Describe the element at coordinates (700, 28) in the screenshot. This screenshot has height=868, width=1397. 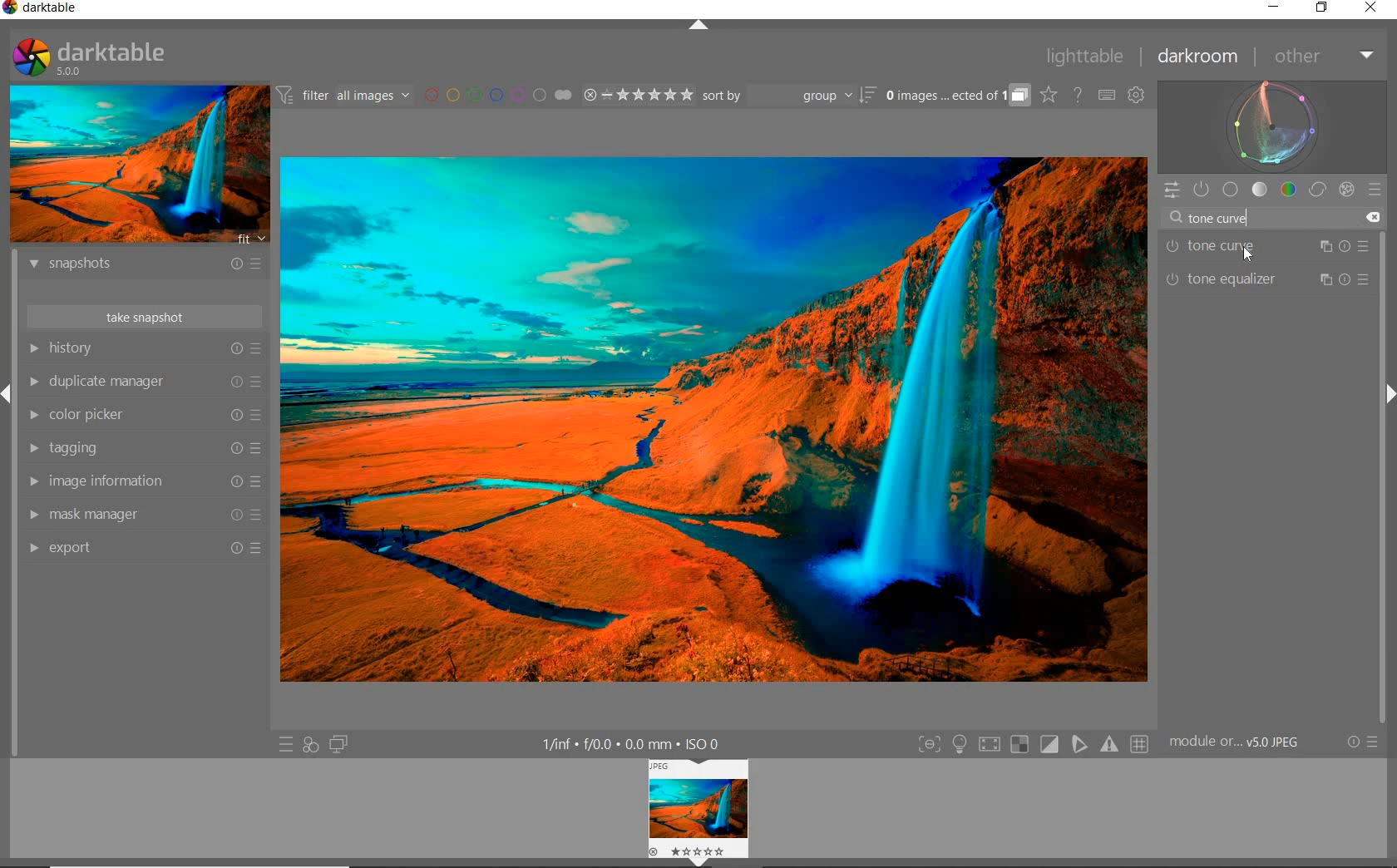
I see `EXPAND/COLLAPSE` at that location.